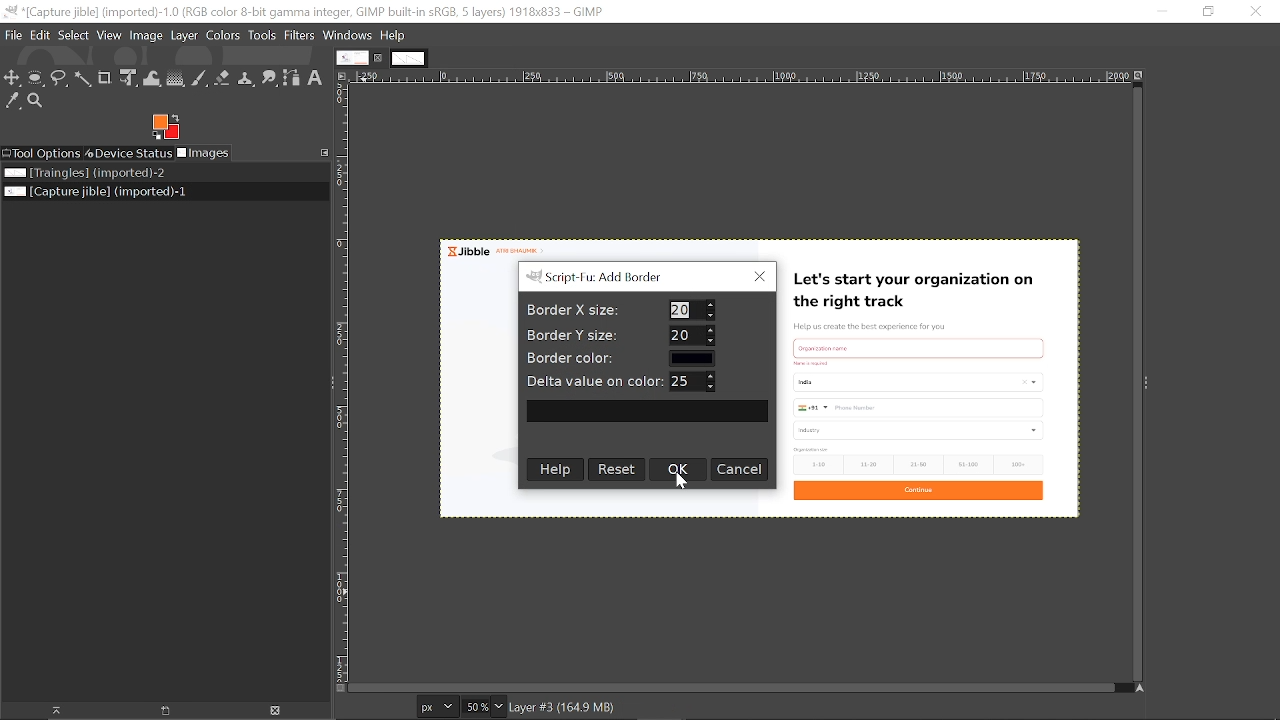 This screenshot has width=1280, height=720. I want to click on Path tool, so click(291, 77).